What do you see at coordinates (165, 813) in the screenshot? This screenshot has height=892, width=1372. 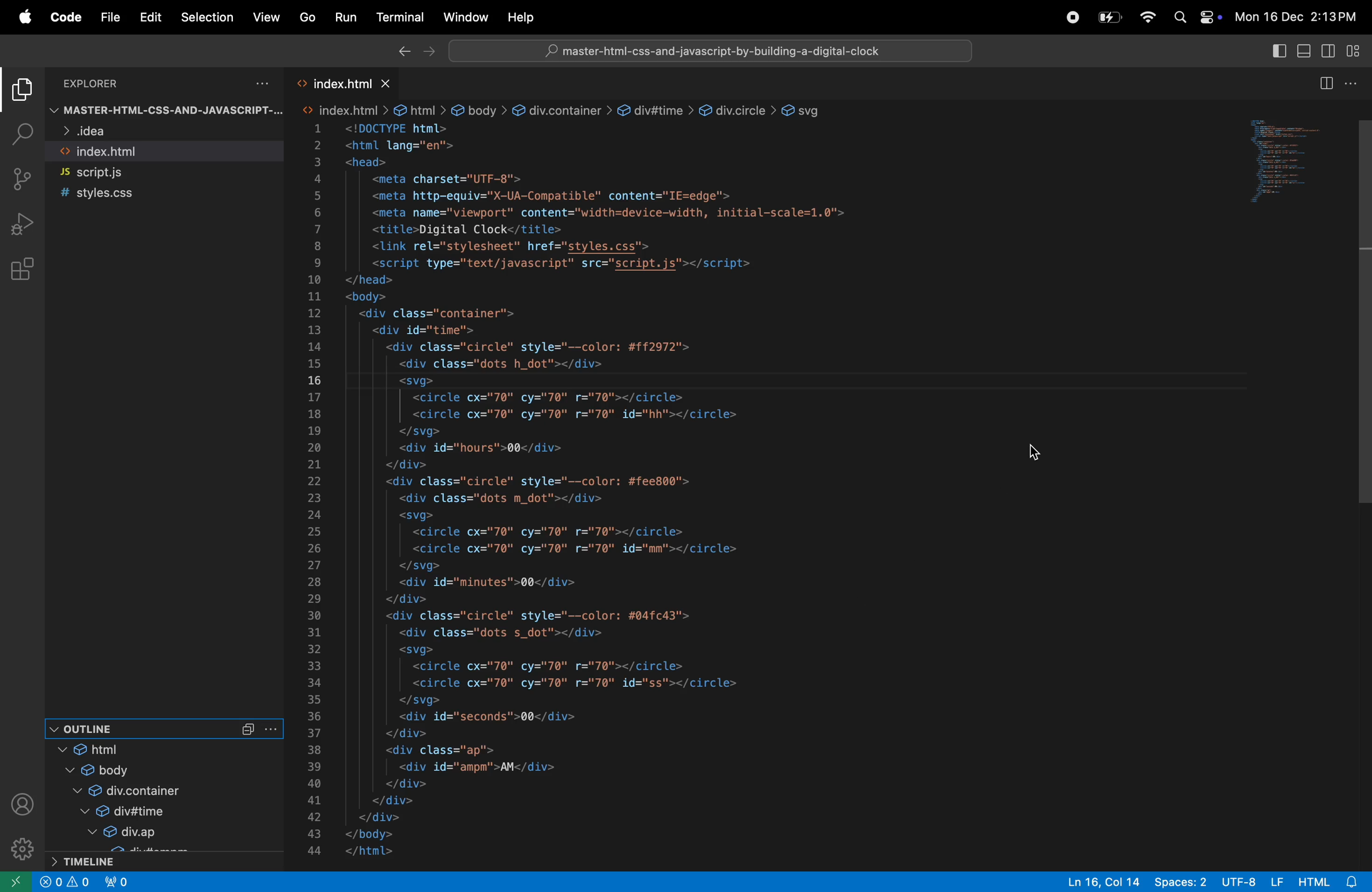 I see `div time` at bounding box center [165, 813].